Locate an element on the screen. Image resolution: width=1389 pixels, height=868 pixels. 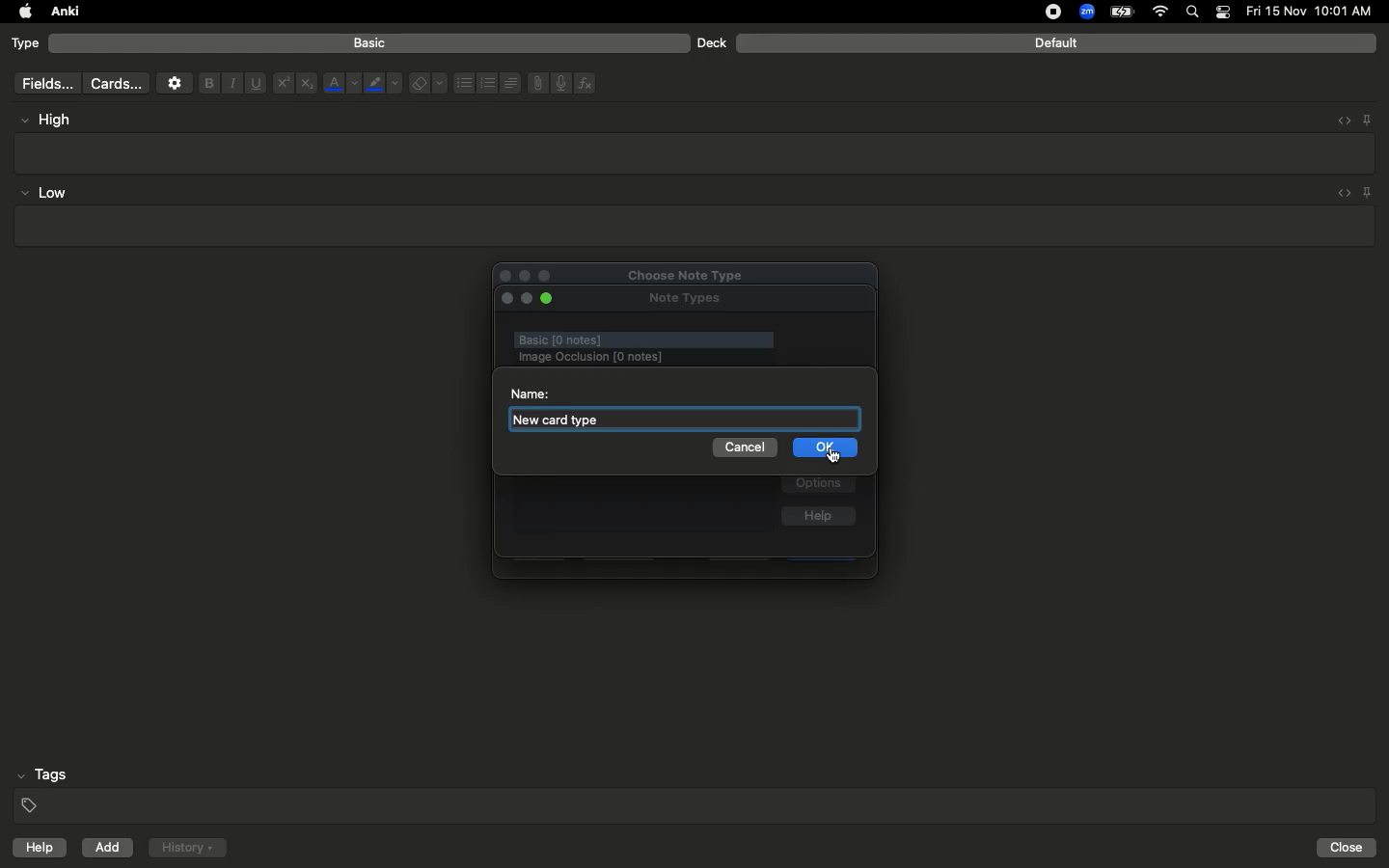
Note Types is located at coordinates (685, 300).